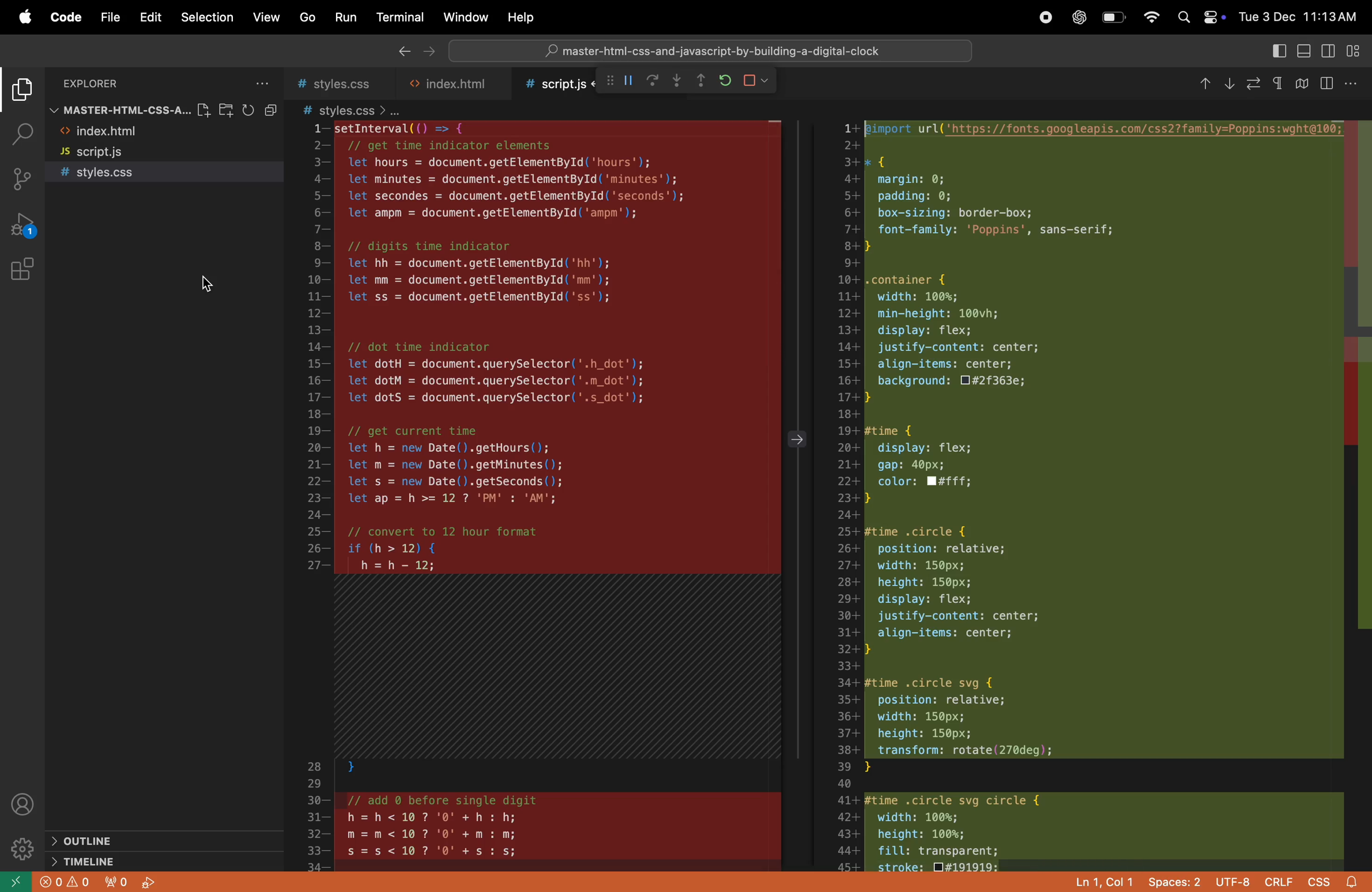 The width and height of the screenshot is (1372, 892). What do you see at coordinates (1256, 84) in the screenshot?
I see `File annotations` at bounding box center [1256, 84].